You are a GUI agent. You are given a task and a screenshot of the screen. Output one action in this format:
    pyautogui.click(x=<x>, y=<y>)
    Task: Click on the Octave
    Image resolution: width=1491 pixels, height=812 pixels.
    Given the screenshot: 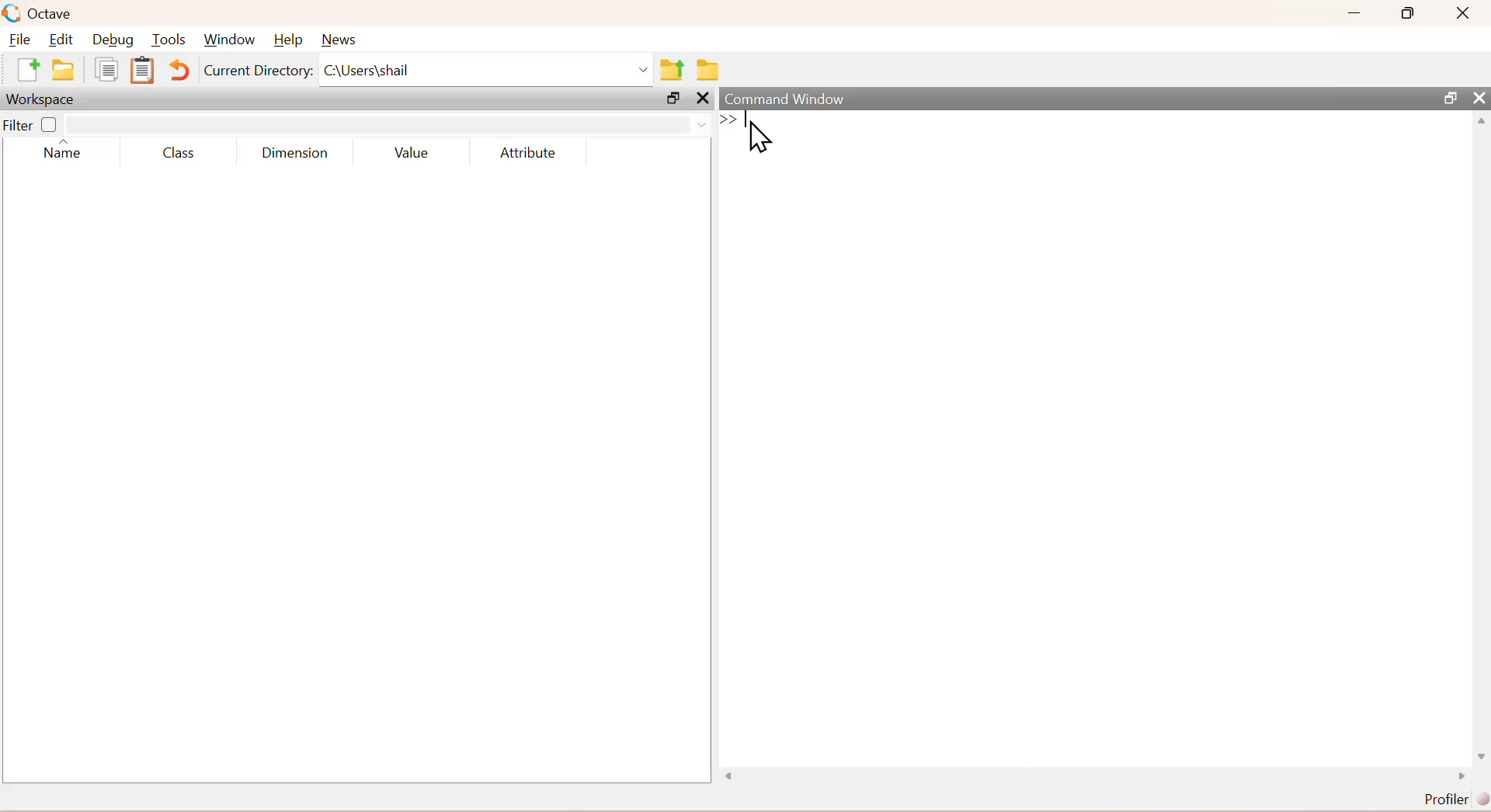 What is the action you would take?
    pyautogui.click(x=41, y=13)
    